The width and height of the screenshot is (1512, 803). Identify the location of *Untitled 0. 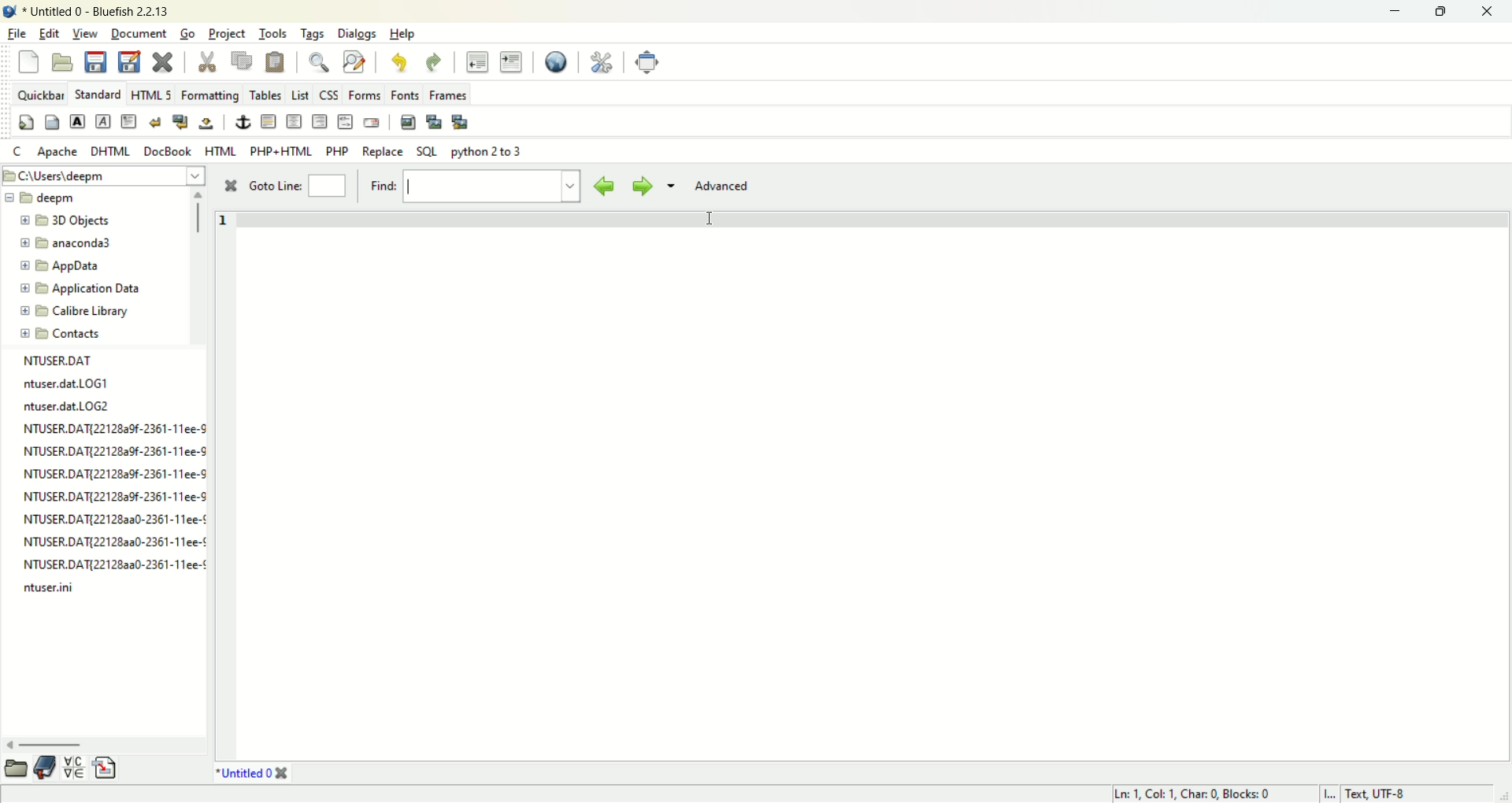
(253, 773).